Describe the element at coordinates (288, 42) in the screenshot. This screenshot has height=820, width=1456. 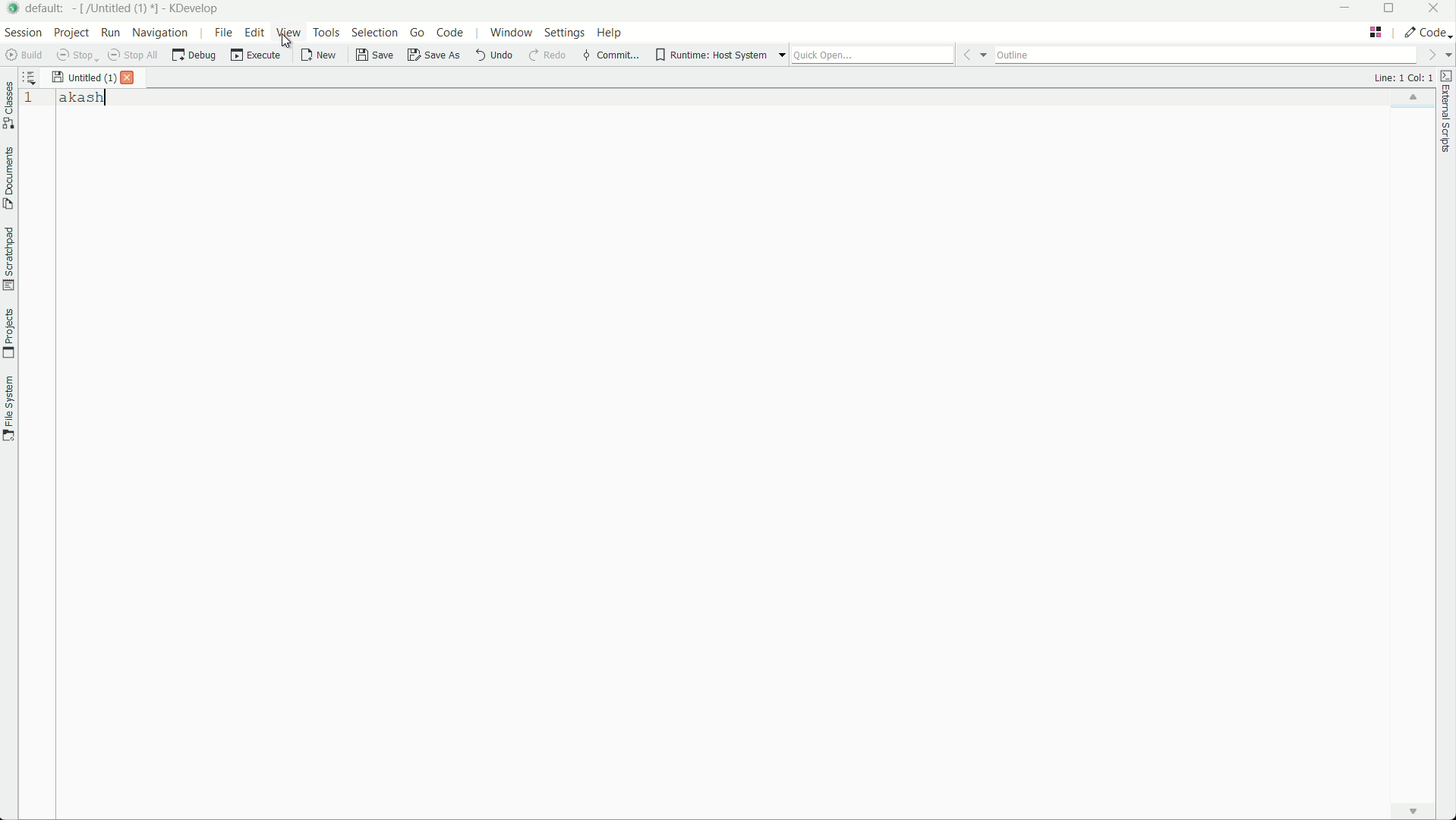
I see `cursor` at that location.